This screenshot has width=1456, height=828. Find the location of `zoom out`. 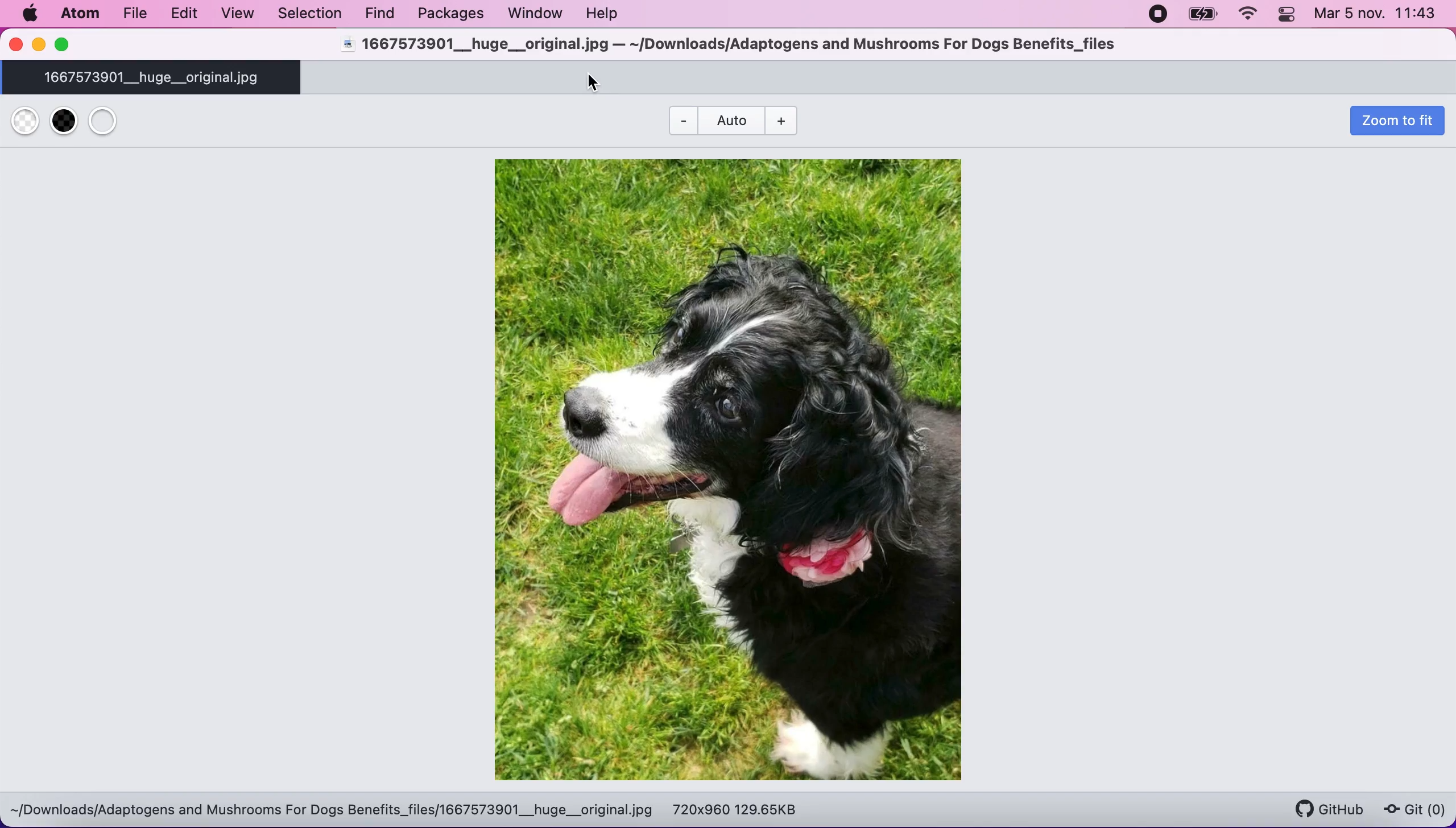

zoom out is located at coordinates (679, 119).